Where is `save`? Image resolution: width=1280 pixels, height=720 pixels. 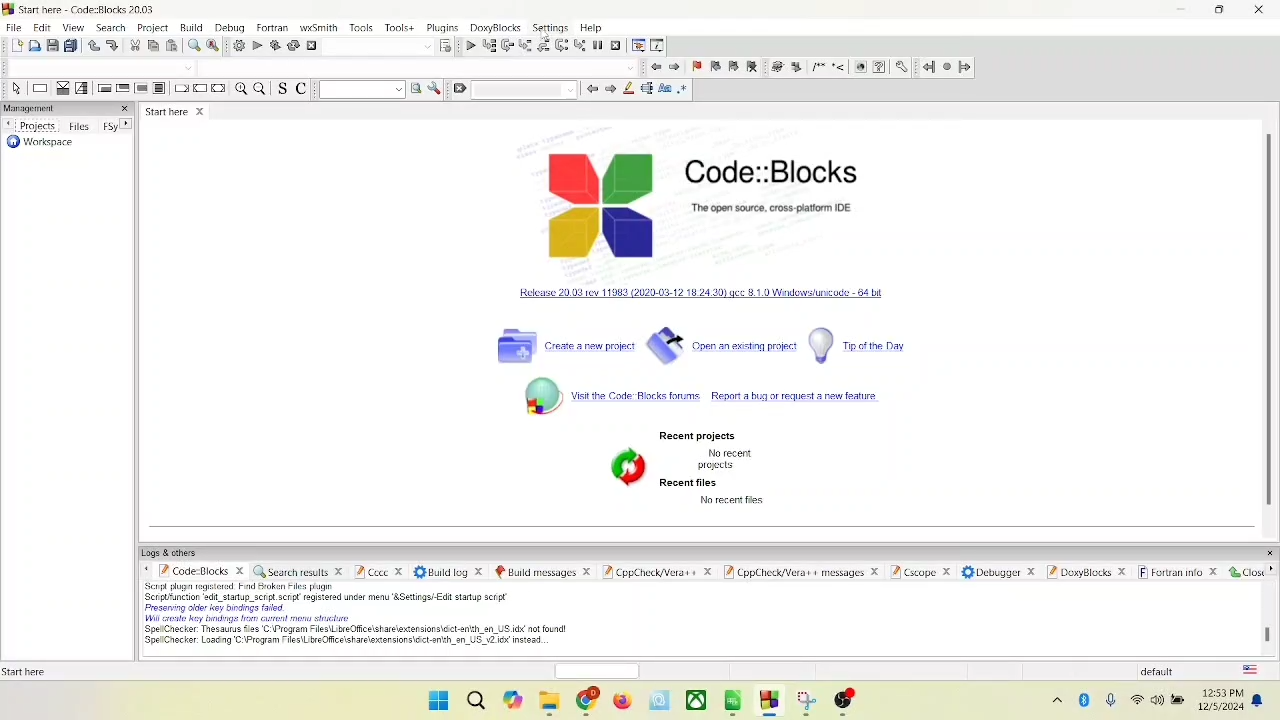 save is located at coordinates (51, 45).